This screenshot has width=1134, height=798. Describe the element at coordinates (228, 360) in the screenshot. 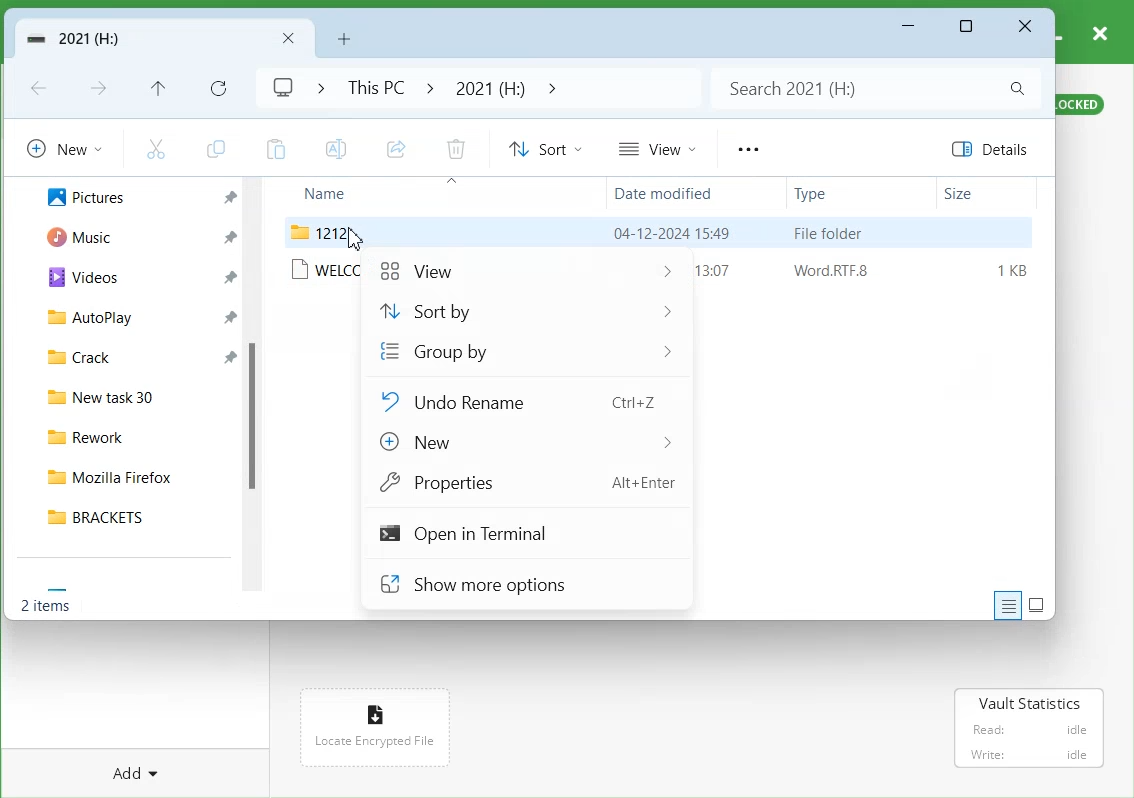

I see `Pin a file` at that location.